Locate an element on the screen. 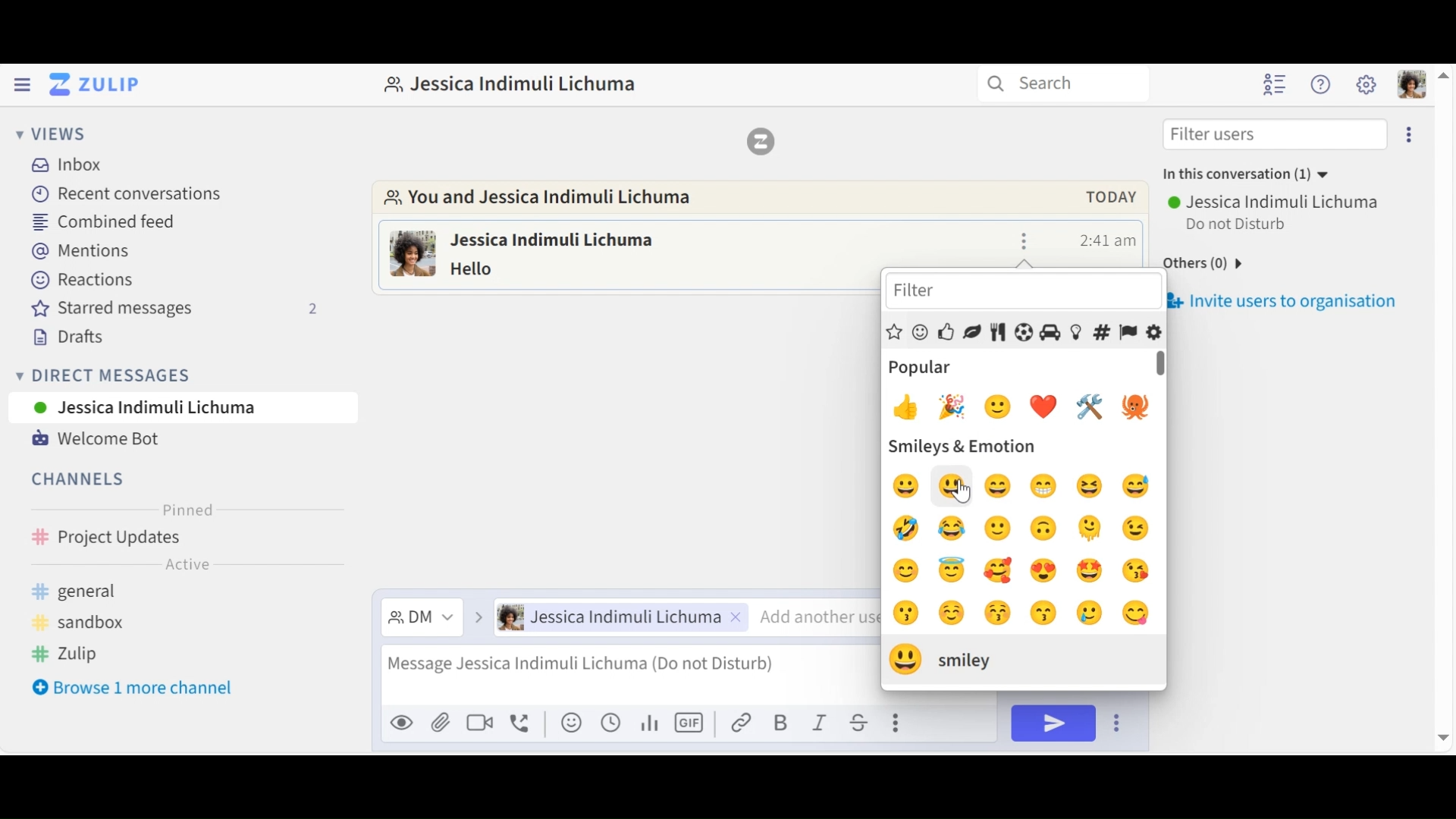  wink is located at coordinates (1138, 528).